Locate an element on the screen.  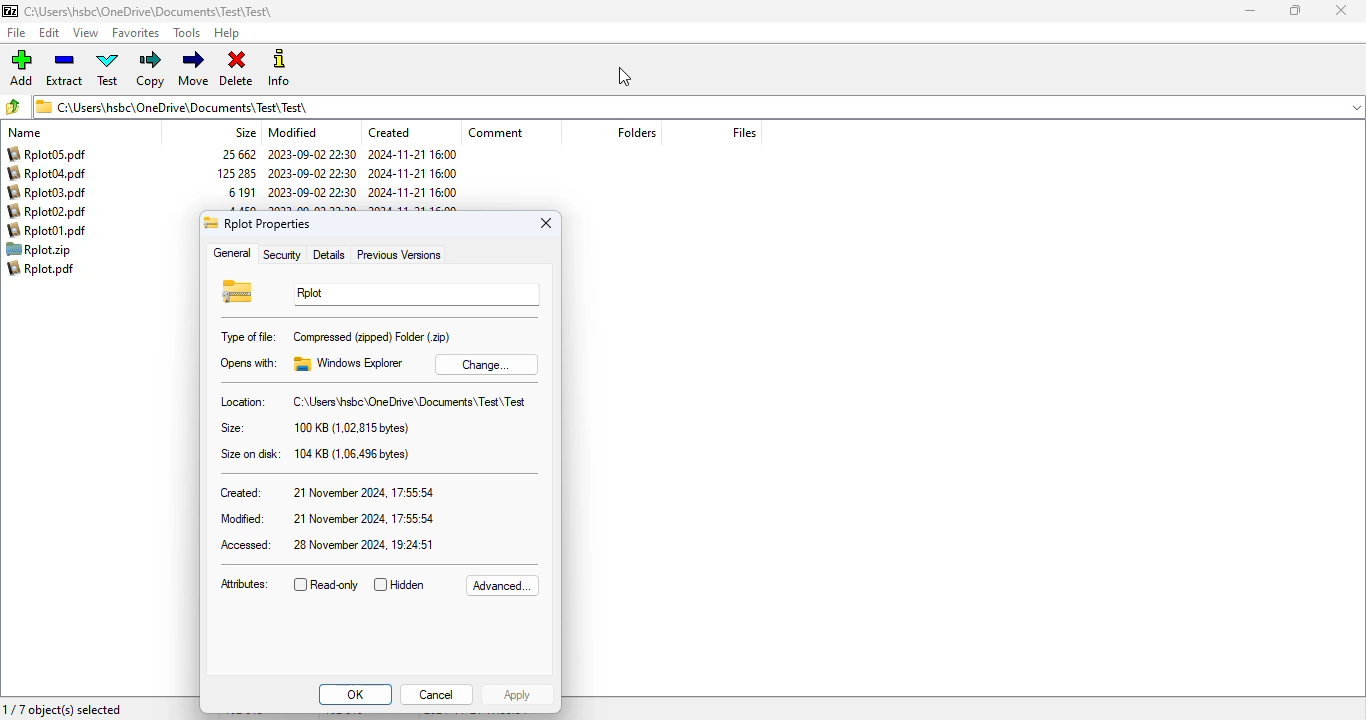
Rplot properties is located at coordinates (256, 224).